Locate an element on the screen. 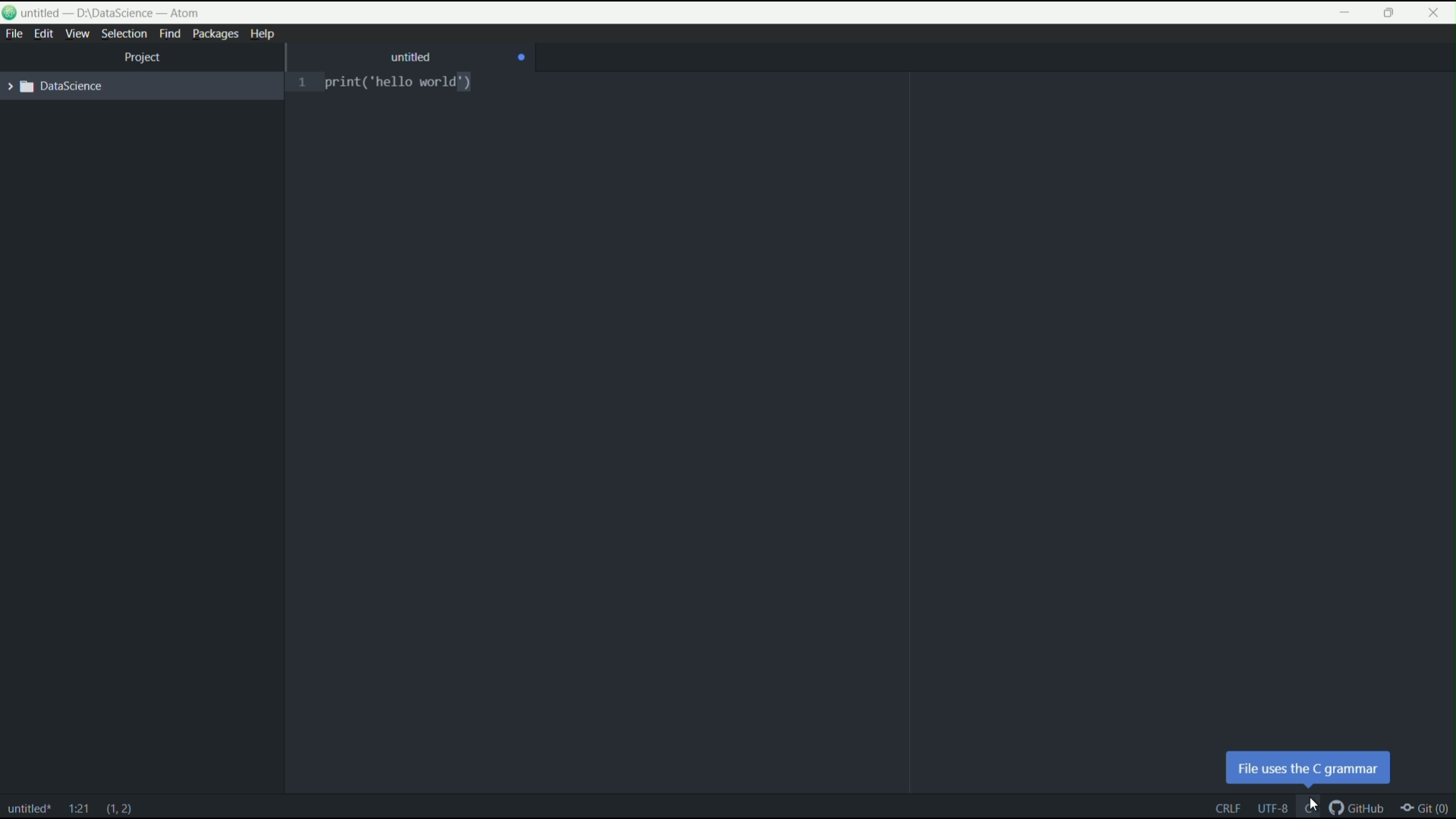 This screenshot has height=819, width=1456. language is located at coordinates (1307, 808).